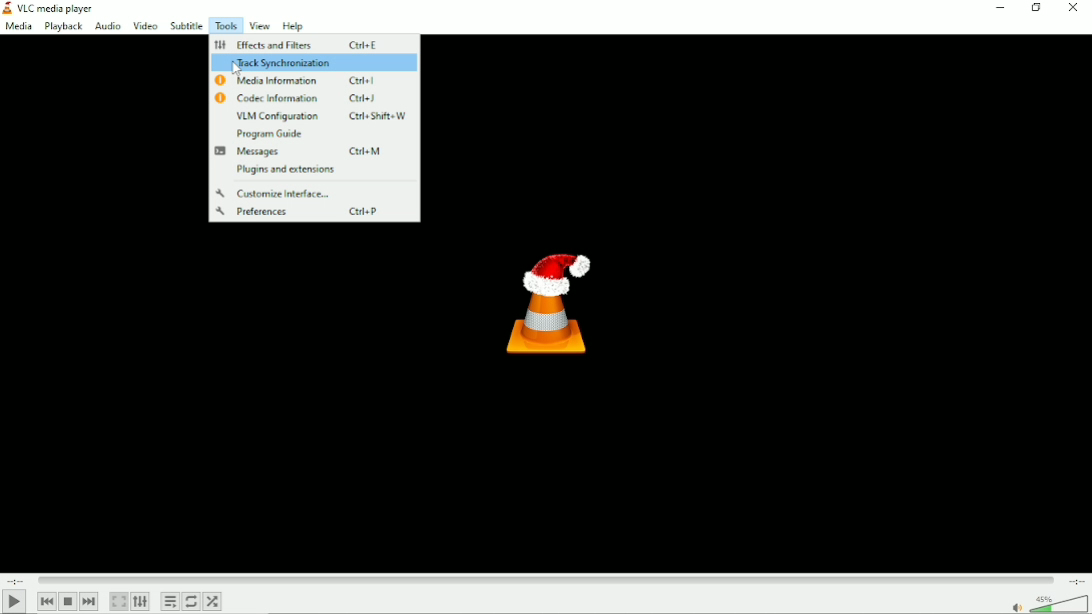 The height and width of the screenshot is (614, 1092). What do you see at coordinates (277, 193) in the screenshot?
I see `Customize interface` at bounding box center [277, 193].